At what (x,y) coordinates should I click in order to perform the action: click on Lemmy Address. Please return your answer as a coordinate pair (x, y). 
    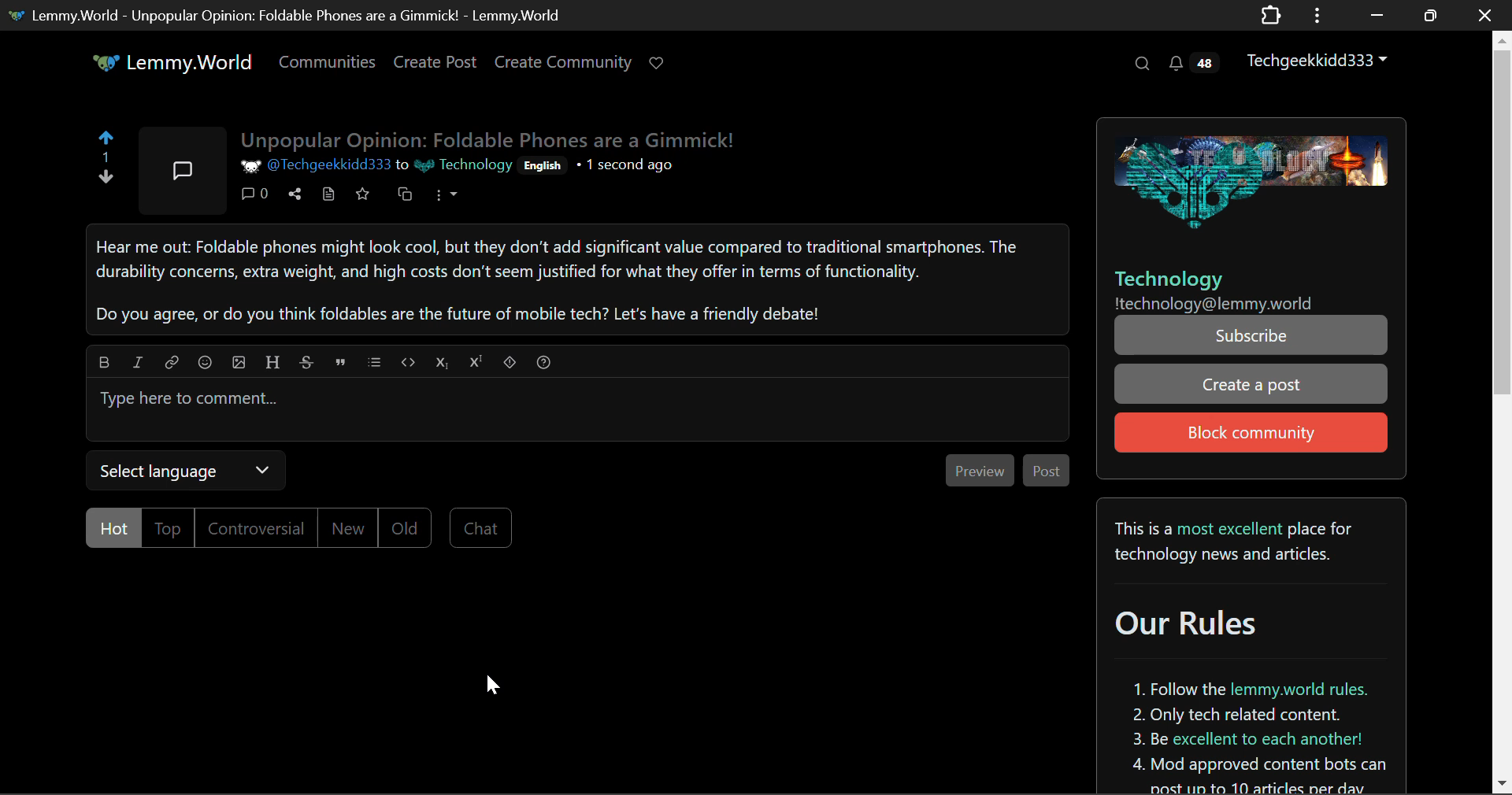
    Looking at the image, I should click on (1215, 303).